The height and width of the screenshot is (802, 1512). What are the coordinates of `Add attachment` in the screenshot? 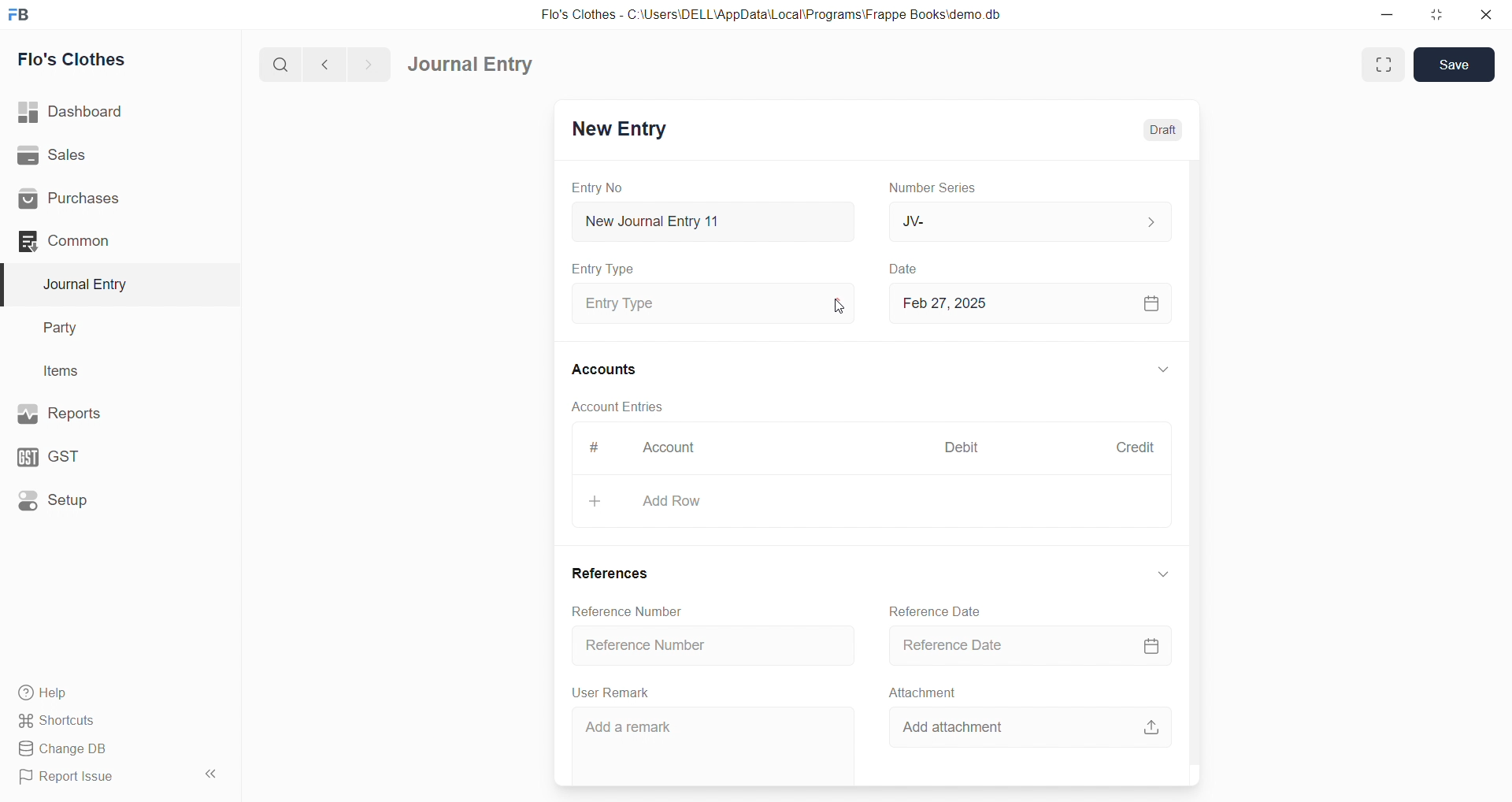 It's located at (1022, 730).